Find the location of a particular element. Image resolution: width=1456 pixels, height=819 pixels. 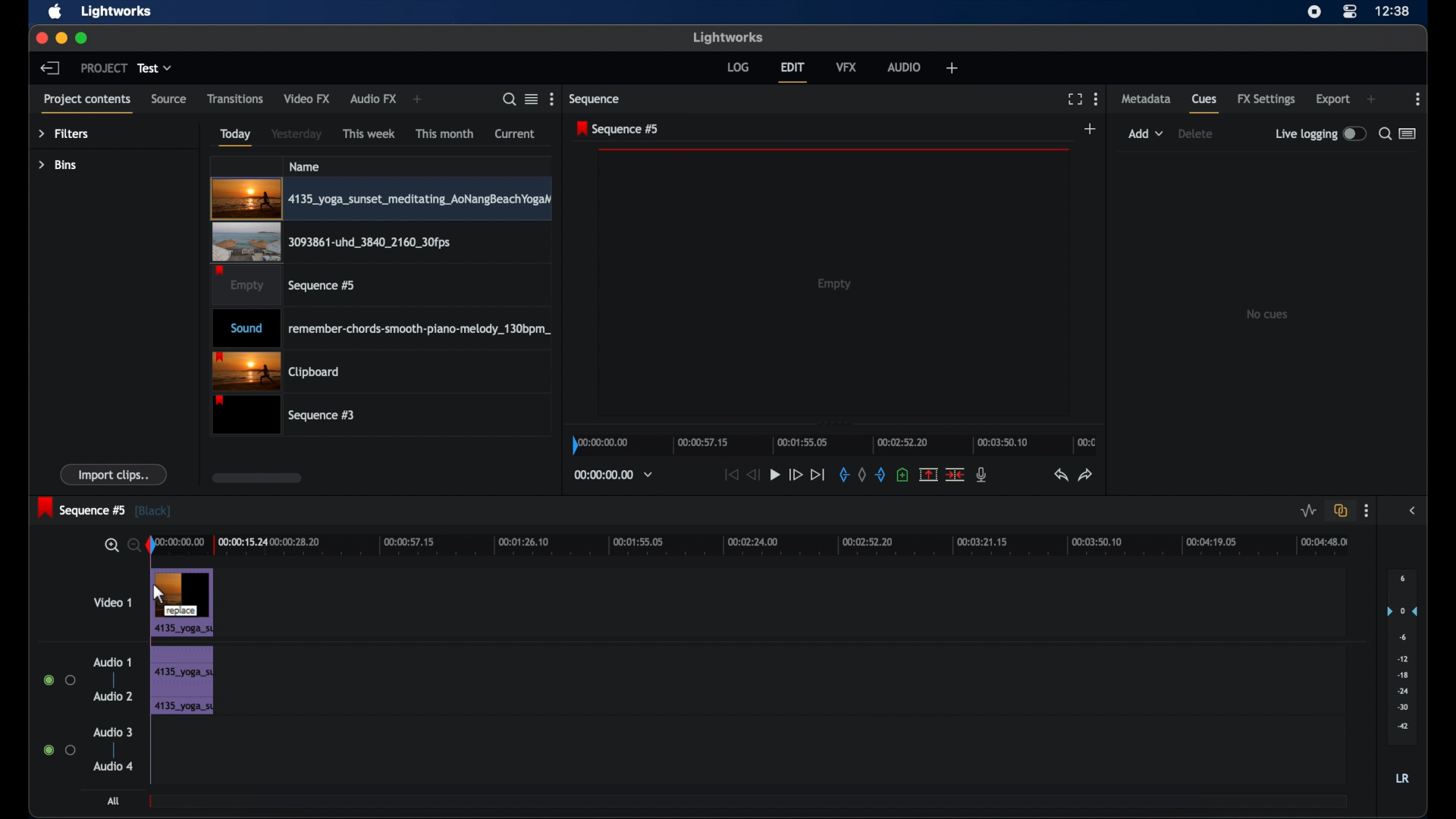

radio button is located at coordinates (58, 679).